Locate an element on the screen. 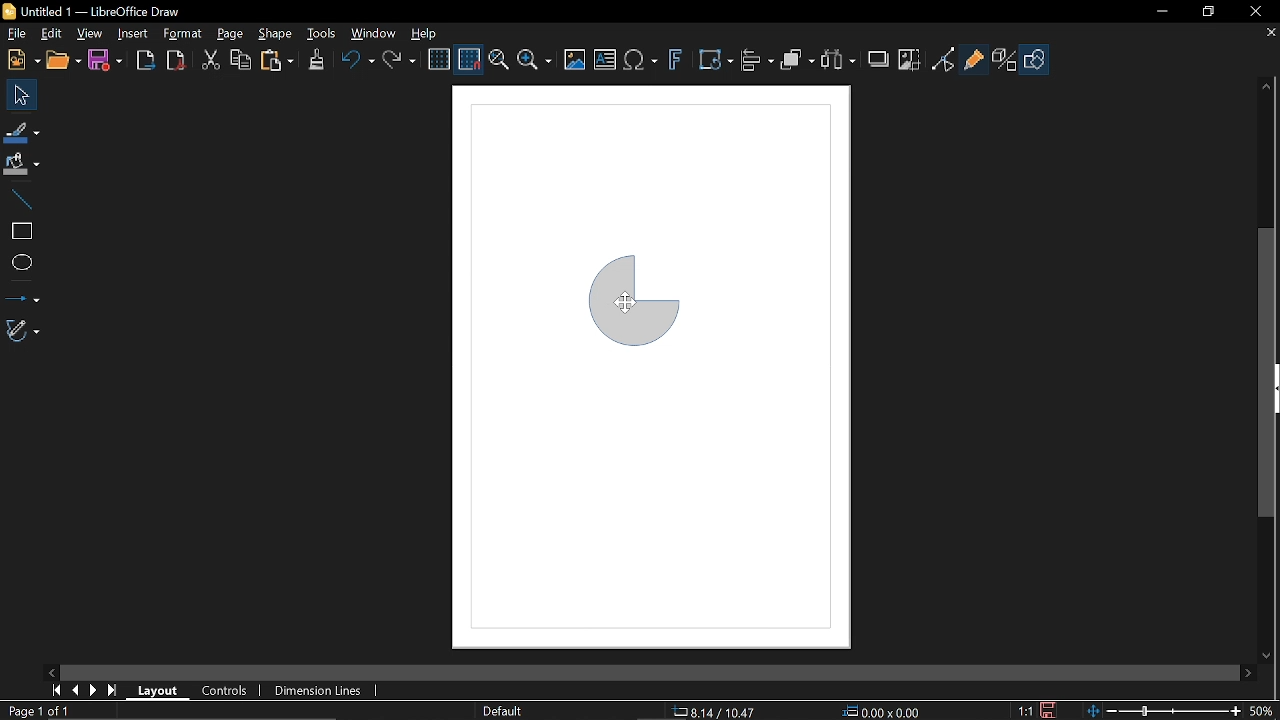  Move down is located at coordinates (1271, 656).